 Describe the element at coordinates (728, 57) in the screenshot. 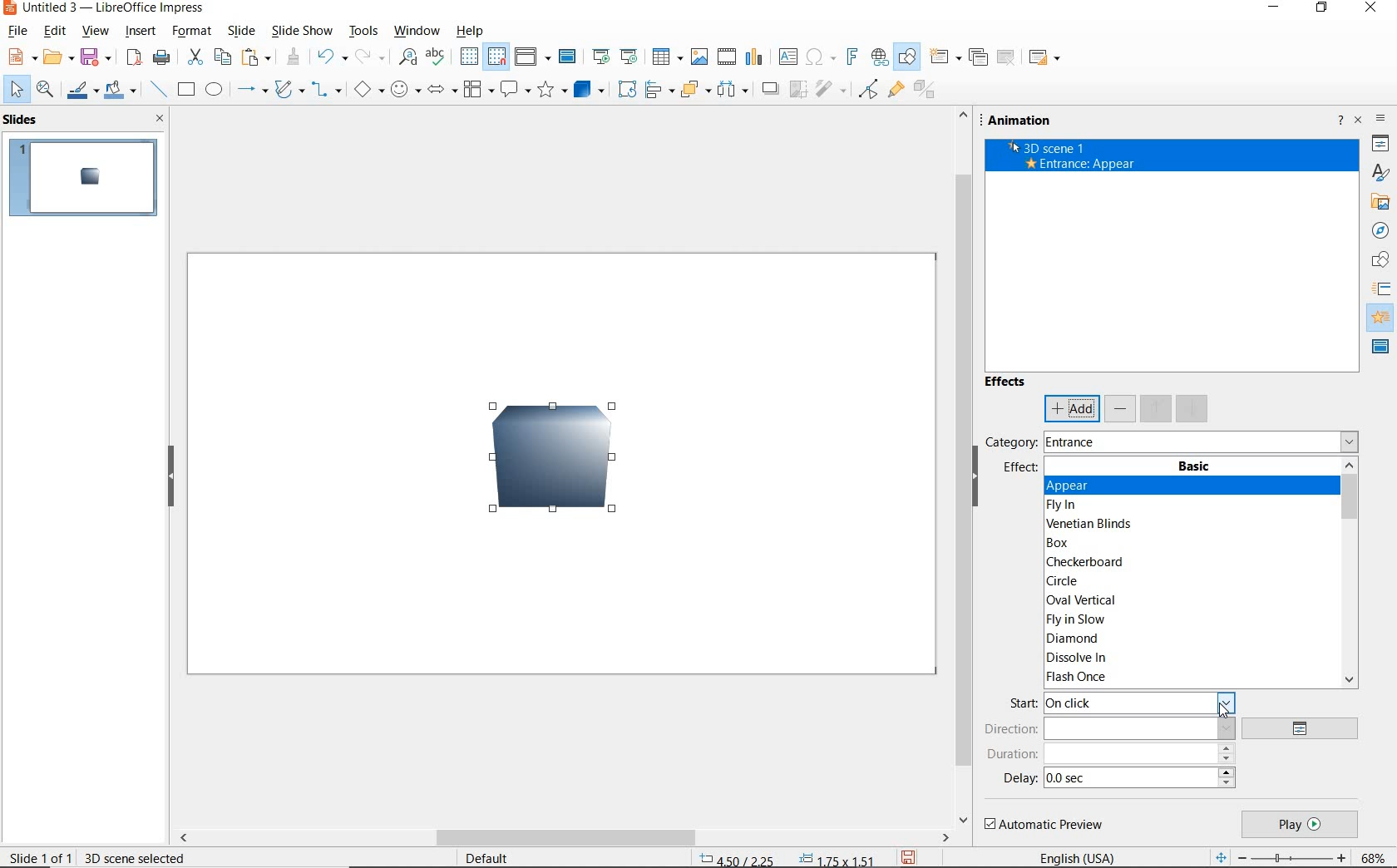

I see `insert video or audio` at that location.